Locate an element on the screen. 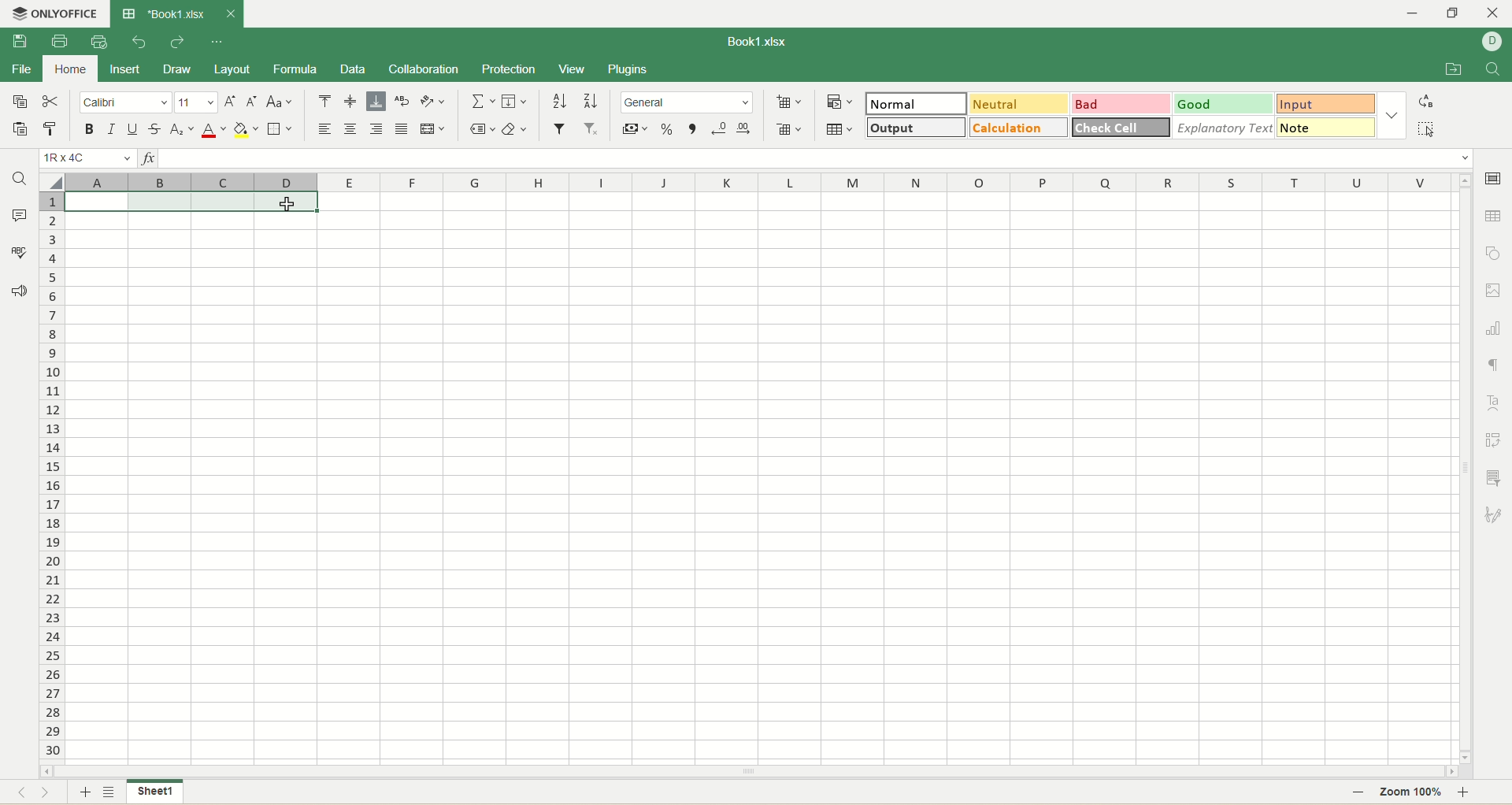 This screenshot has height=805, width=1512. quick print is located at coordinates (99, 42).